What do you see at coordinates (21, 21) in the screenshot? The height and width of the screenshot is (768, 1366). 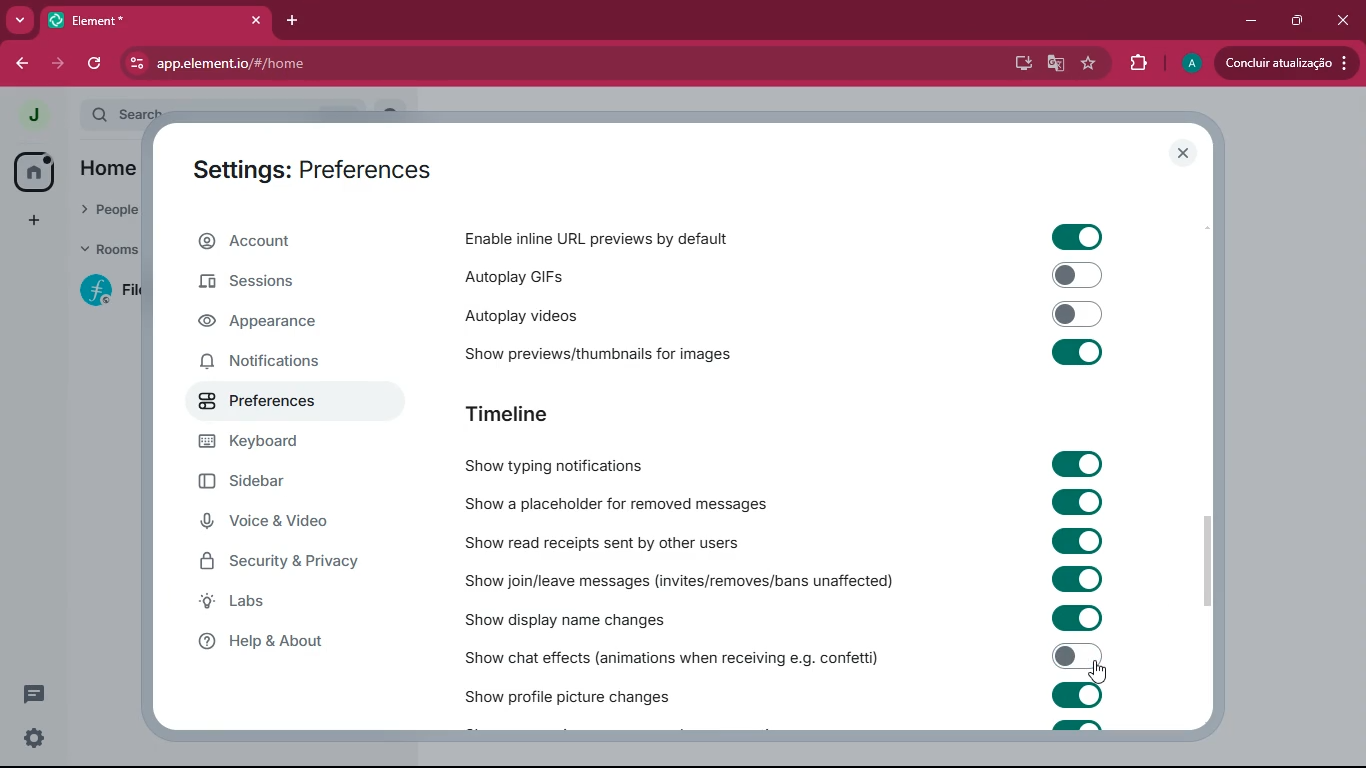 I see `more` at bounding box center [21, 21].